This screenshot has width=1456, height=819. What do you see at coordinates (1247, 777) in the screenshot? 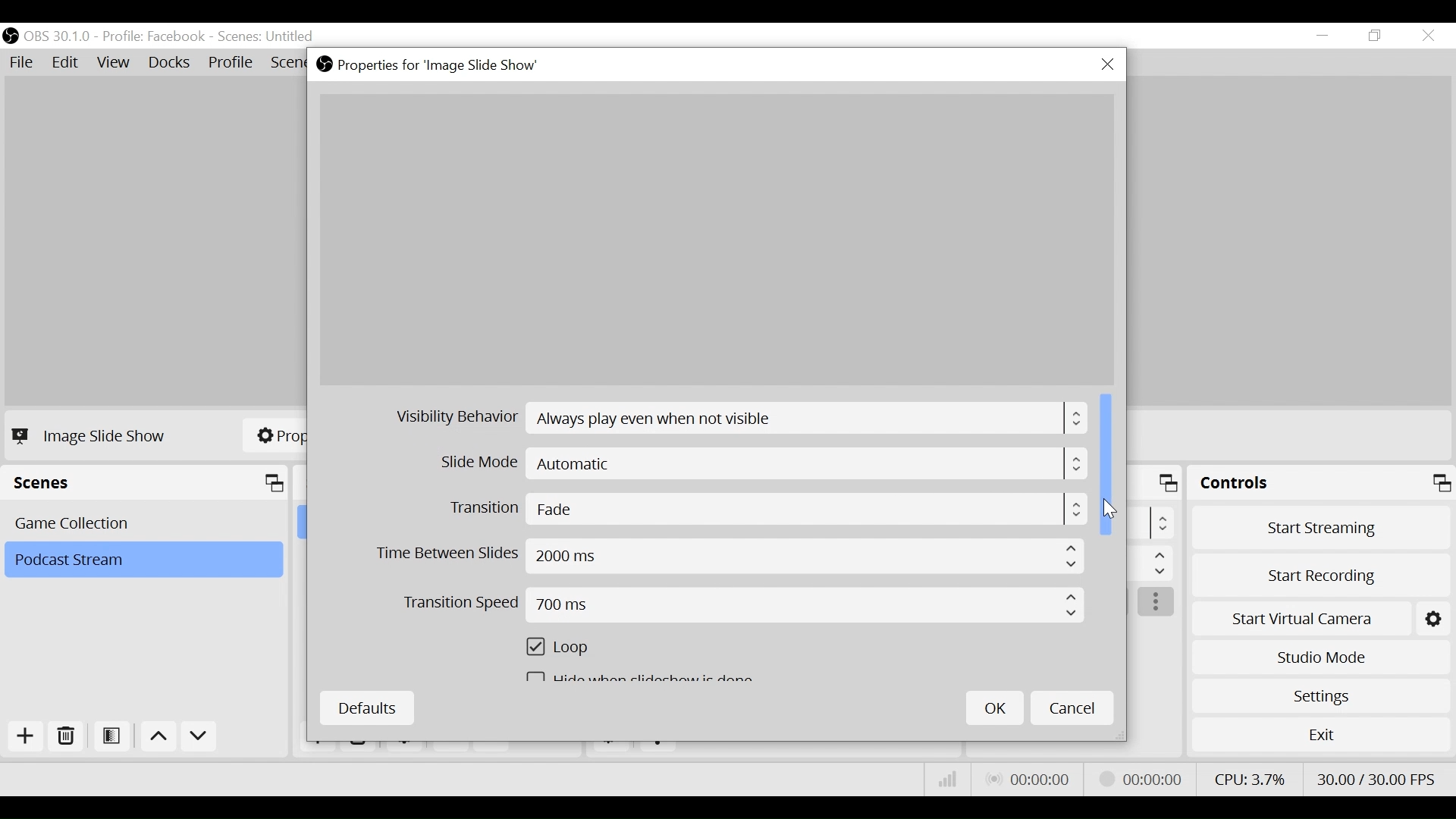
I see `CPU Usage` at bounding box center [1247, 777].